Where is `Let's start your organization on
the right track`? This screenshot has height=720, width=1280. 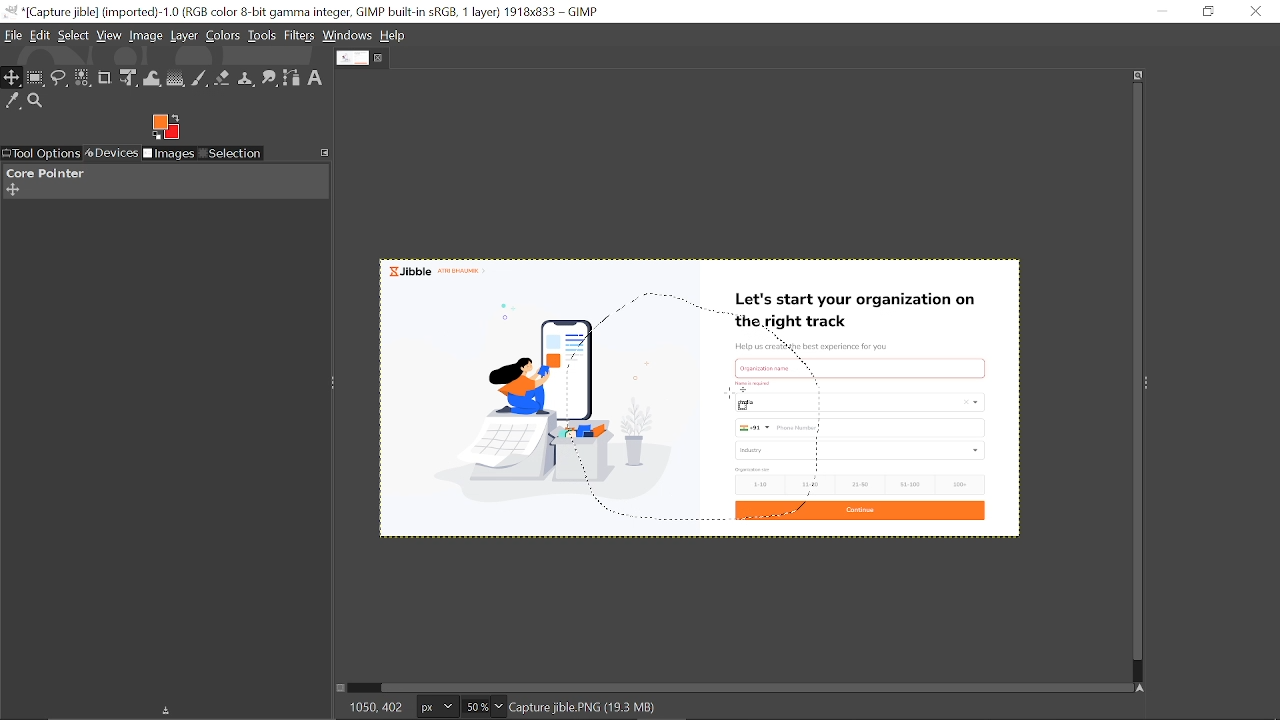 Let's start your organization on
the right track is located at coordinates (859, 312).